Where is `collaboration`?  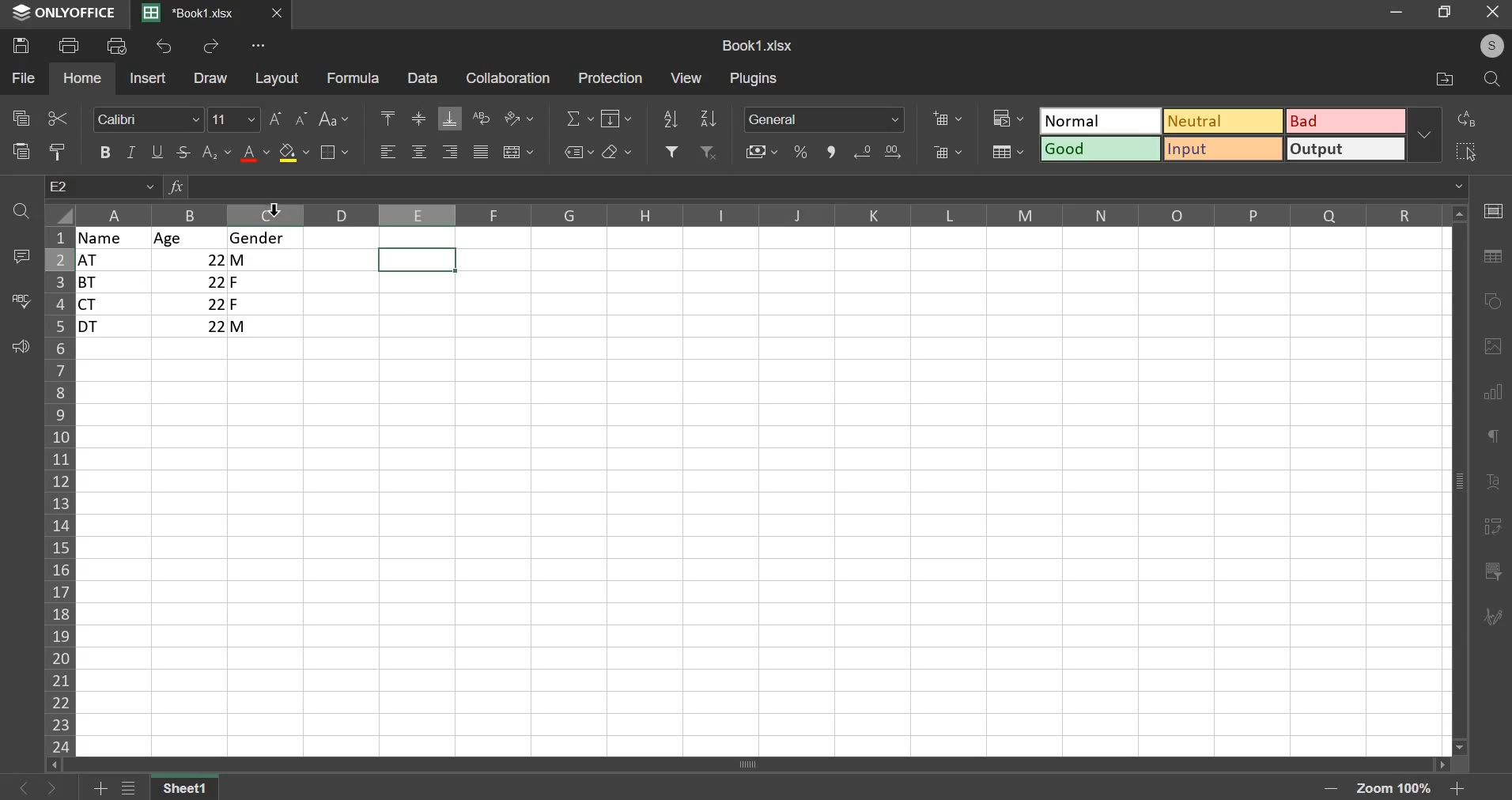
collaboration is located at coordinates (505, 77).